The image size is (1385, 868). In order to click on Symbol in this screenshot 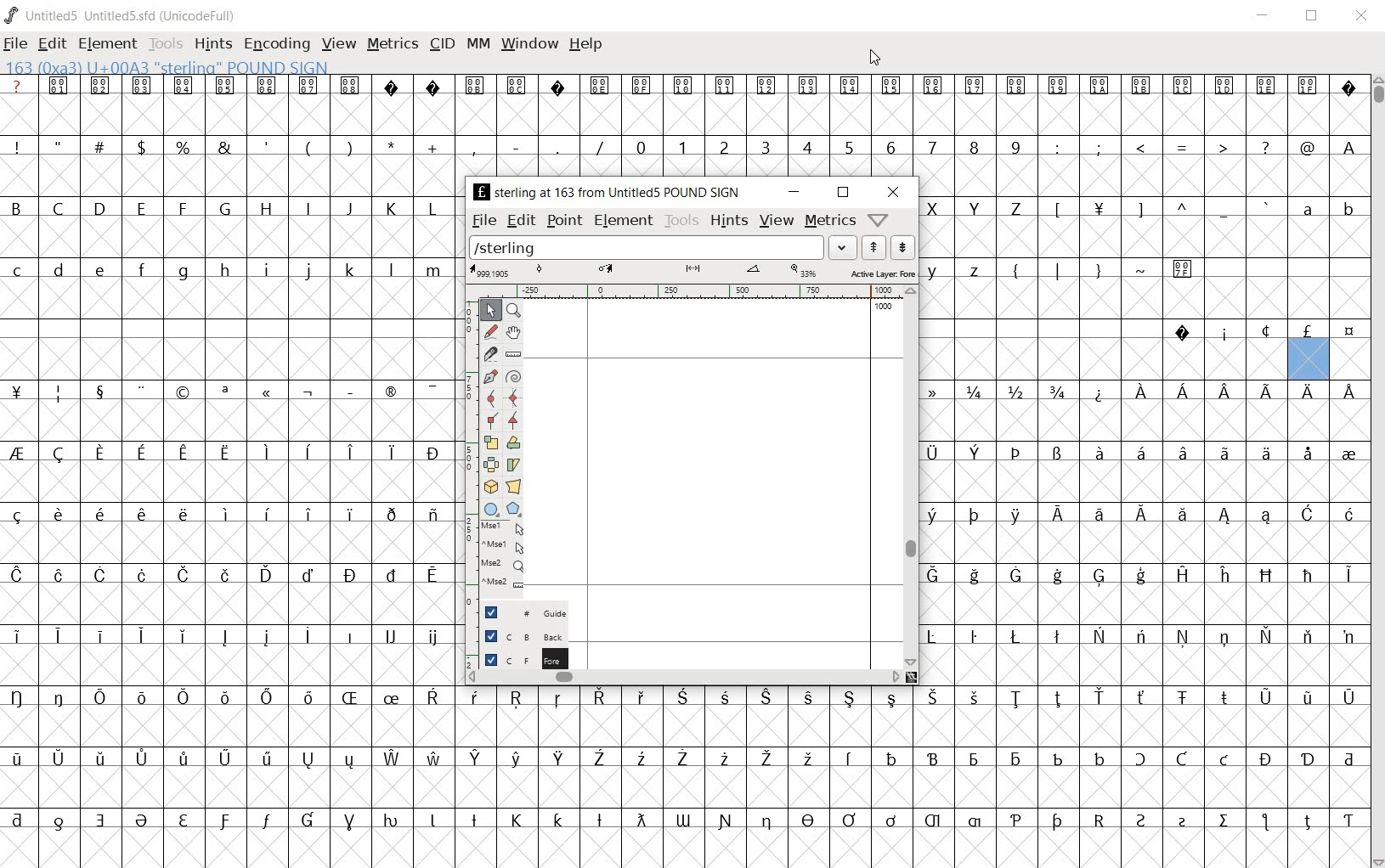, I will do `click(1181, 759)`.